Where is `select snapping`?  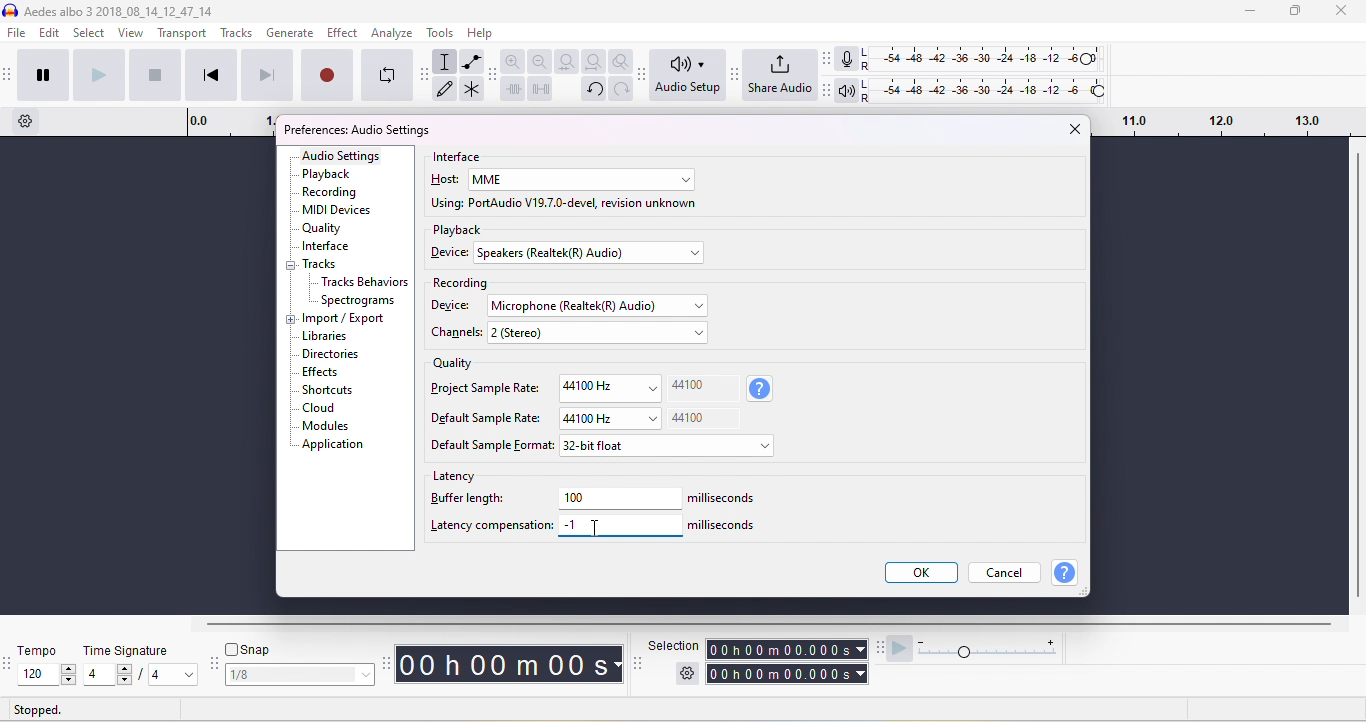
select snapping is located at coordinates (303, 675).